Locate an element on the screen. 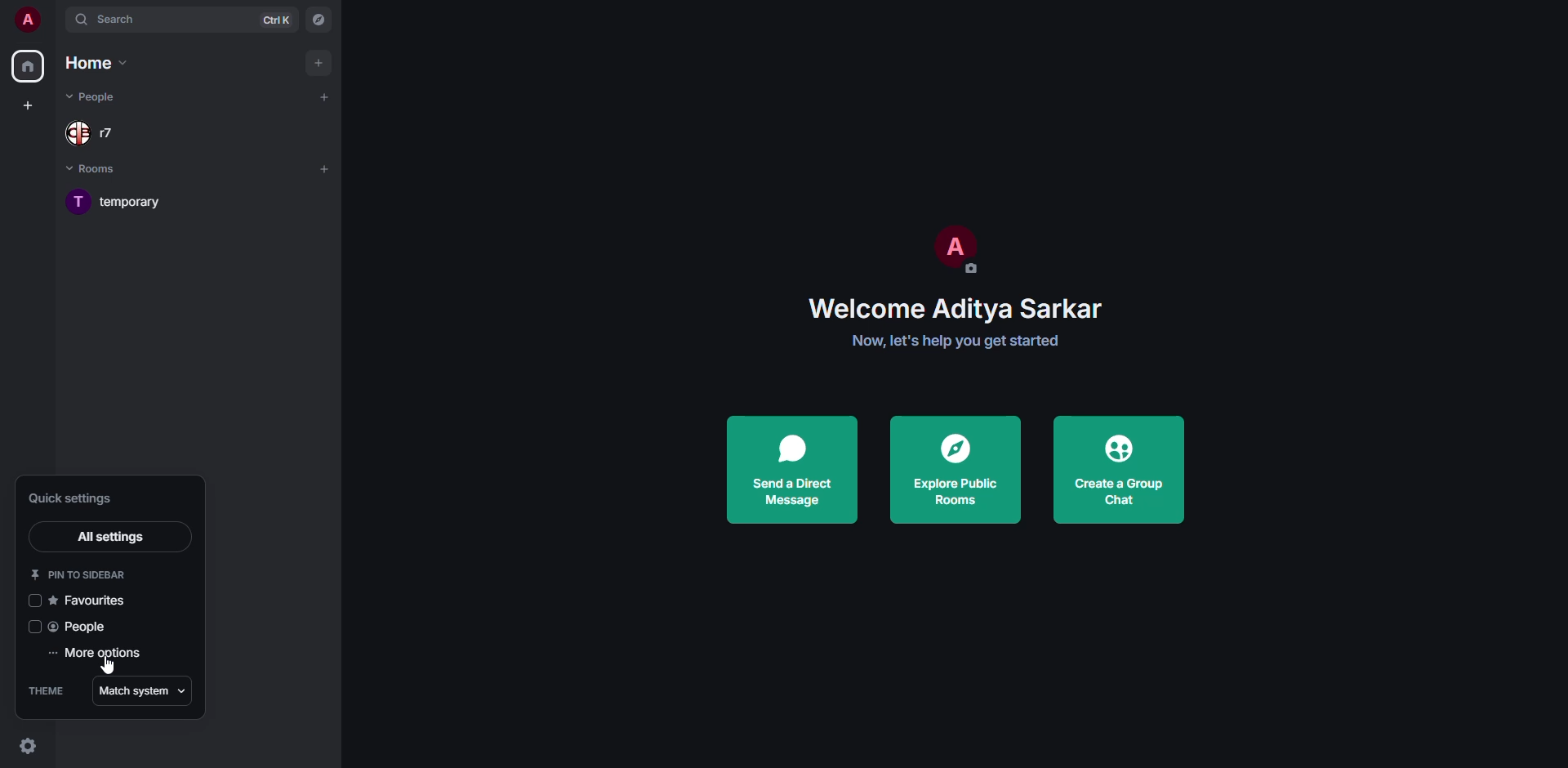 The width and height of the screenshot is (1568, 768). pin to sidebar is located at coordinates (77, 573).